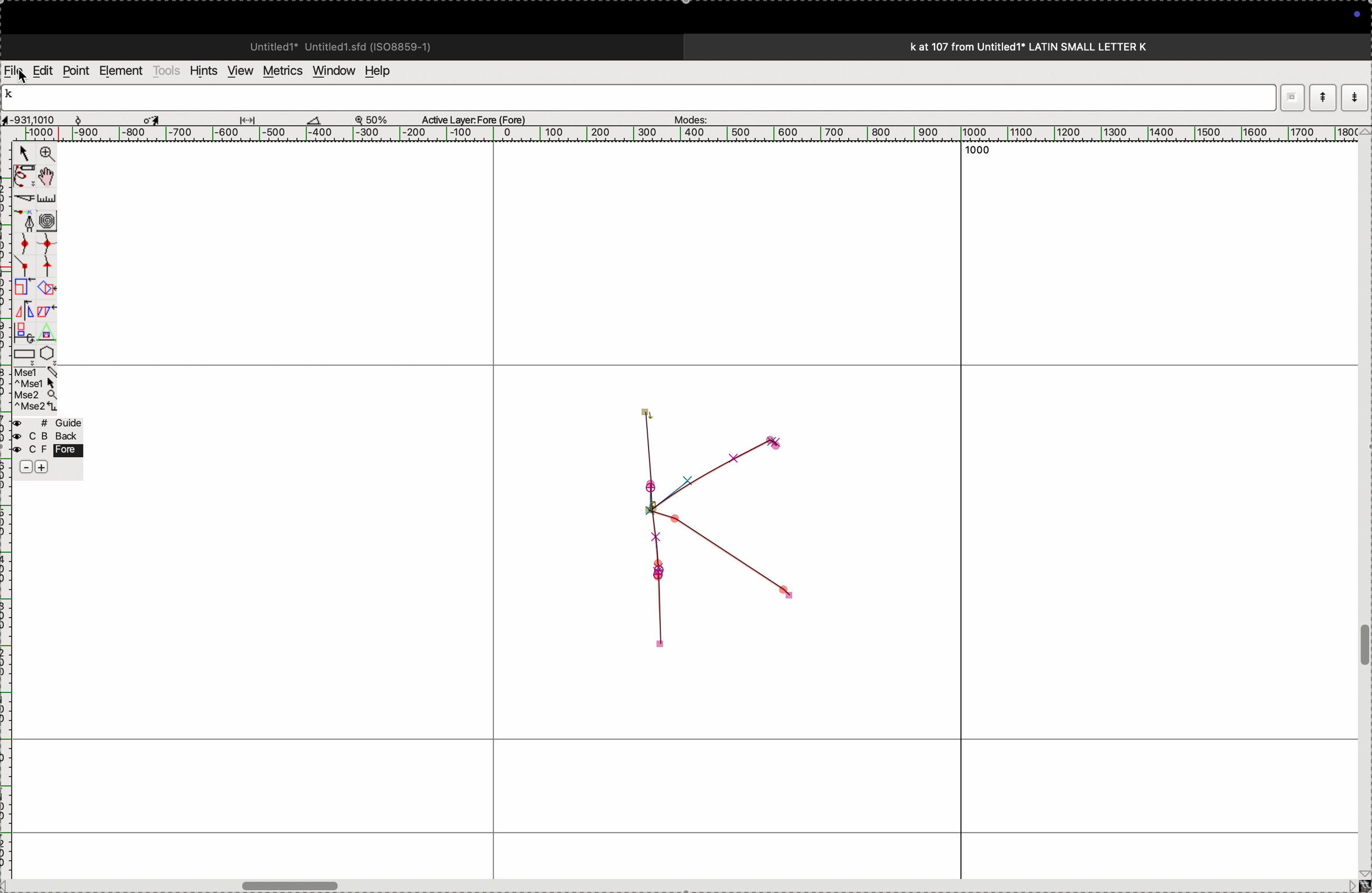 The width and height of the screenshot is (1372, 893). I want to click on spline, so click(35, 253).